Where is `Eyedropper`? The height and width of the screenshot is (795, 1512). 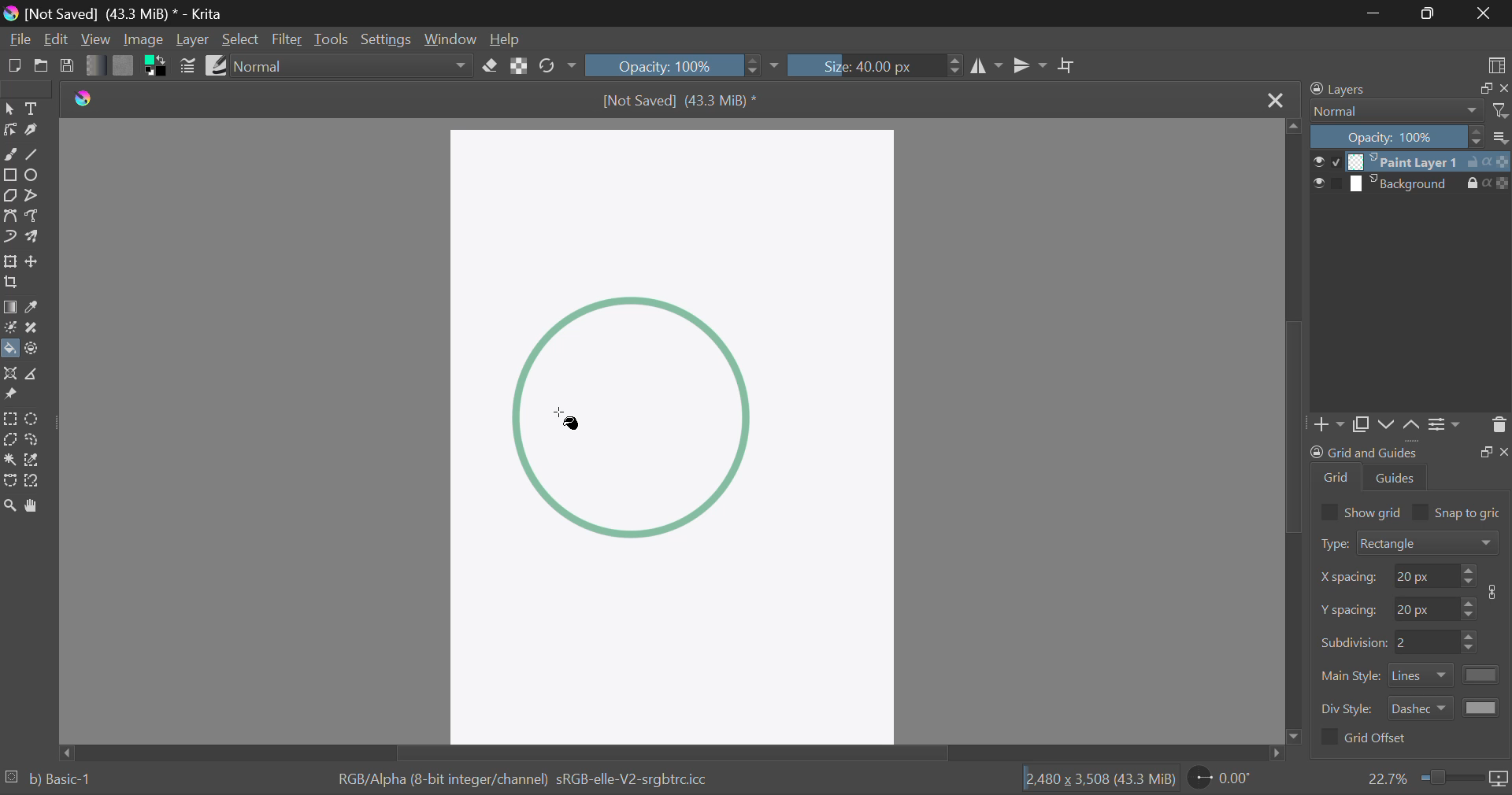 Eyedropper is located at coordinates (35, 306).